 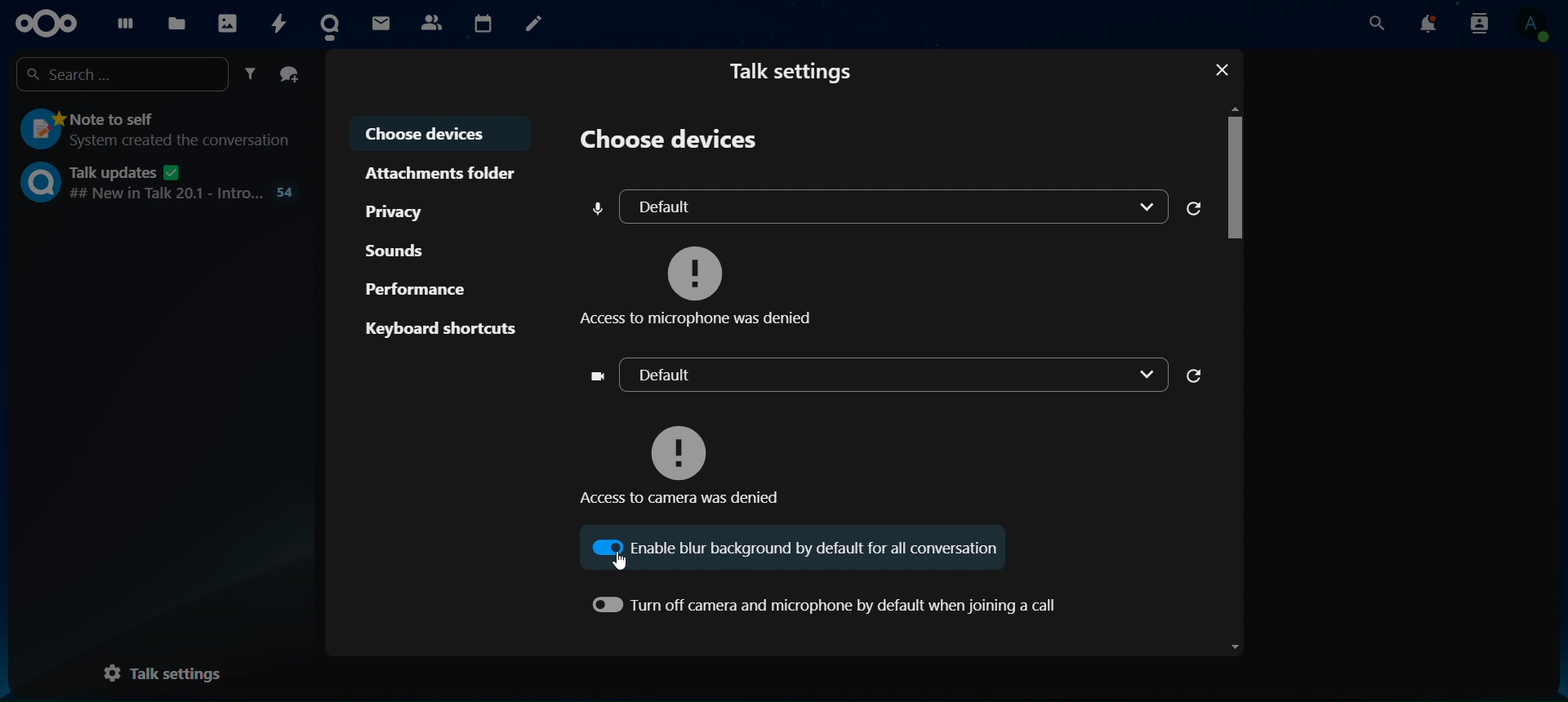 What do you see at coordinates (430, 22) in the screenshot?
I see `contacts` at bounding box center [430, 22].